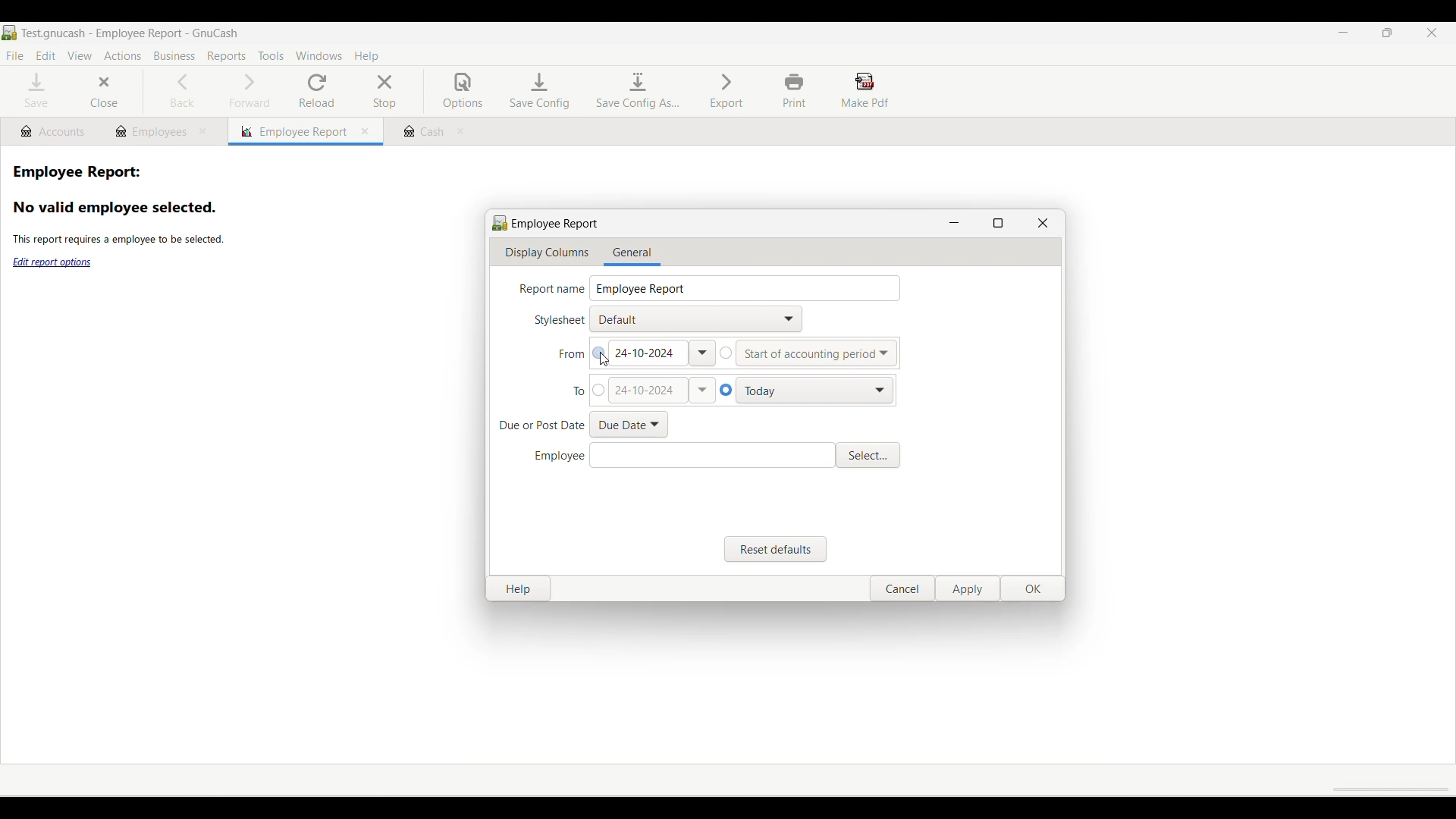 Image resolution: width=1456 pixels, height=819 pixels. I want to click on Select from multiple employee details, so click(868, 456).